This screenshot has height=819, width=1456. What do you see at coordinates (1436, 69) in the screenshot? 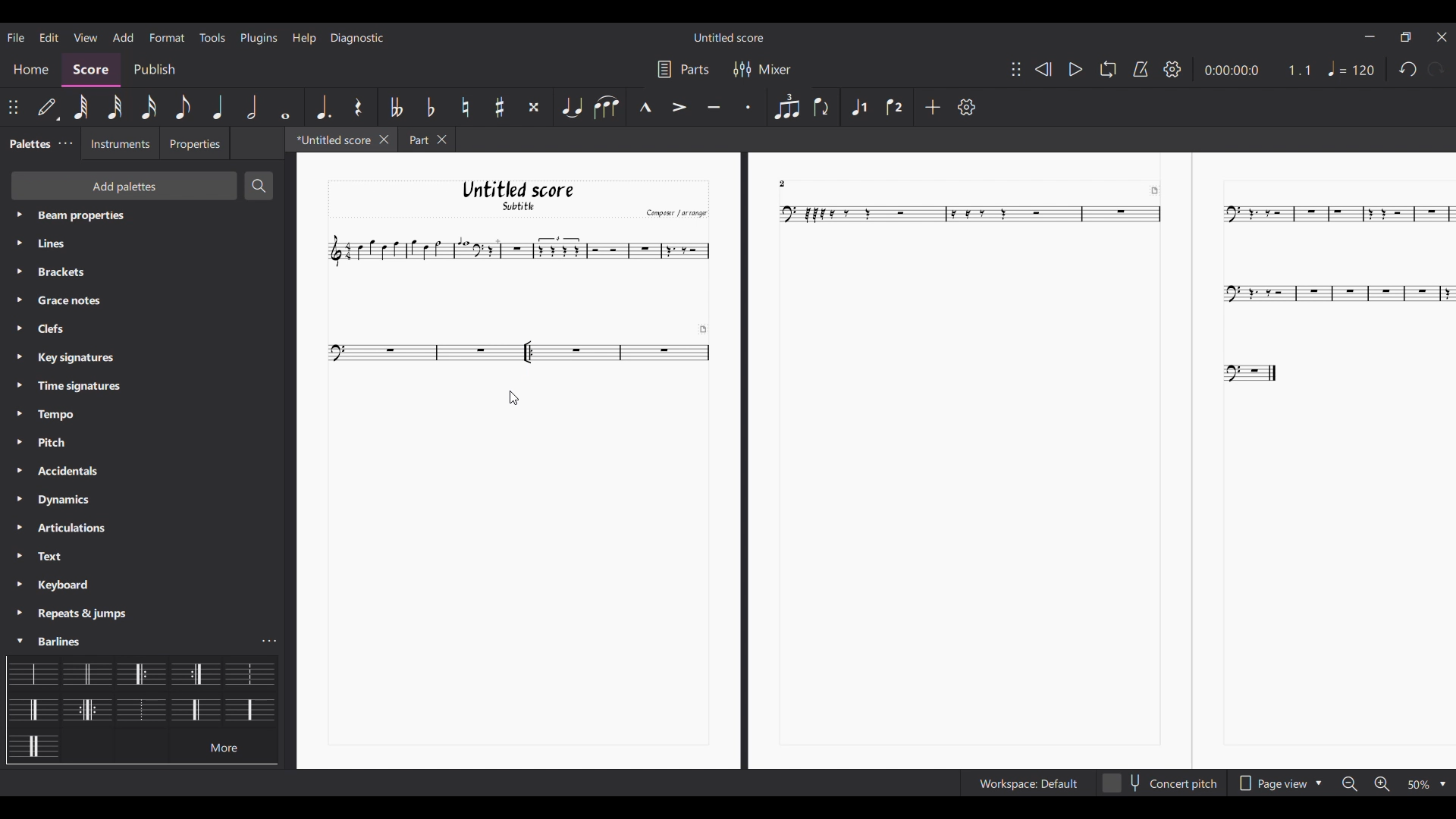
I see `Redo` at bounding box center [1436, 69].